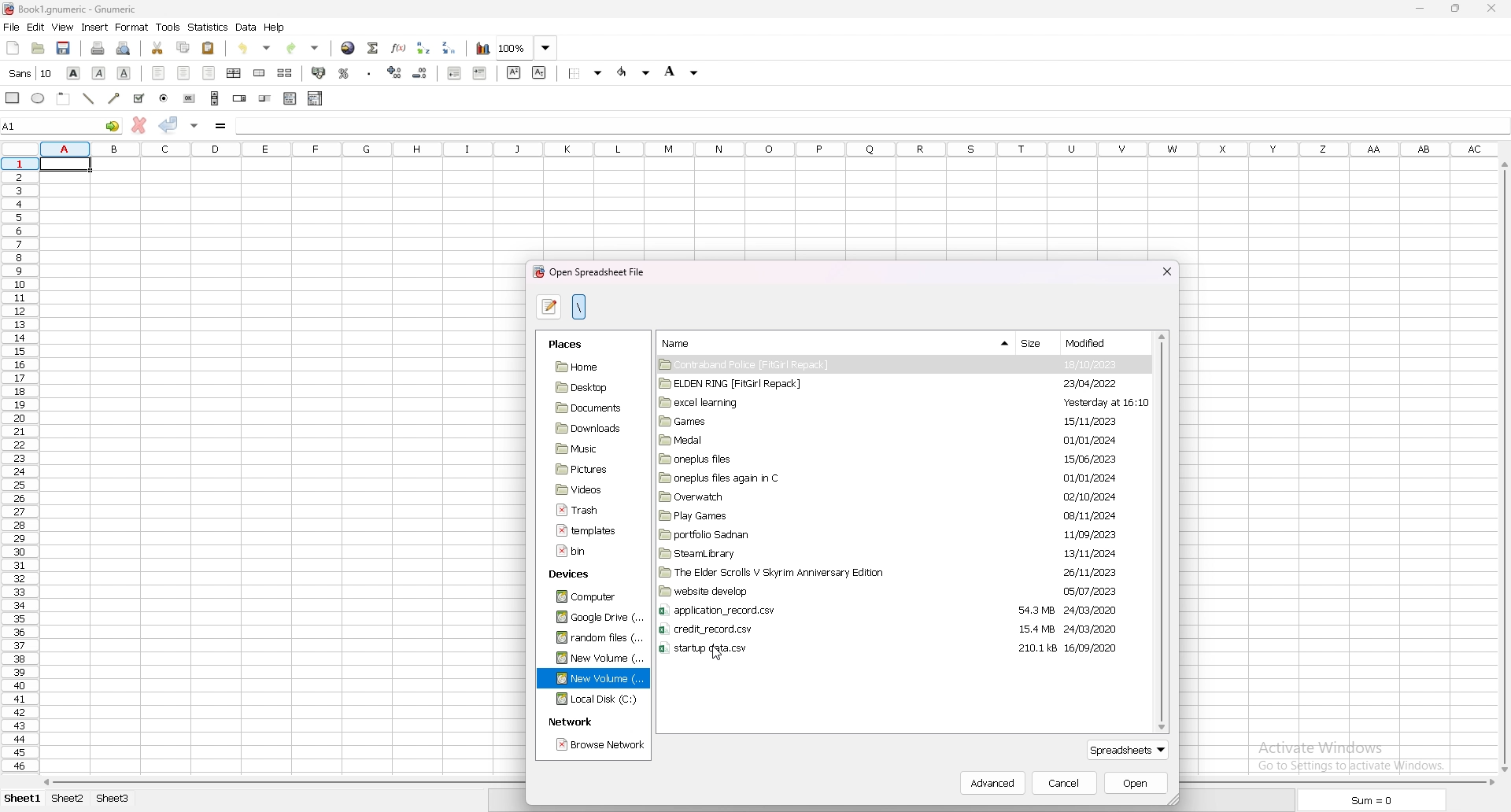  I want to click on 210.1 ks, so click(1024, 650).